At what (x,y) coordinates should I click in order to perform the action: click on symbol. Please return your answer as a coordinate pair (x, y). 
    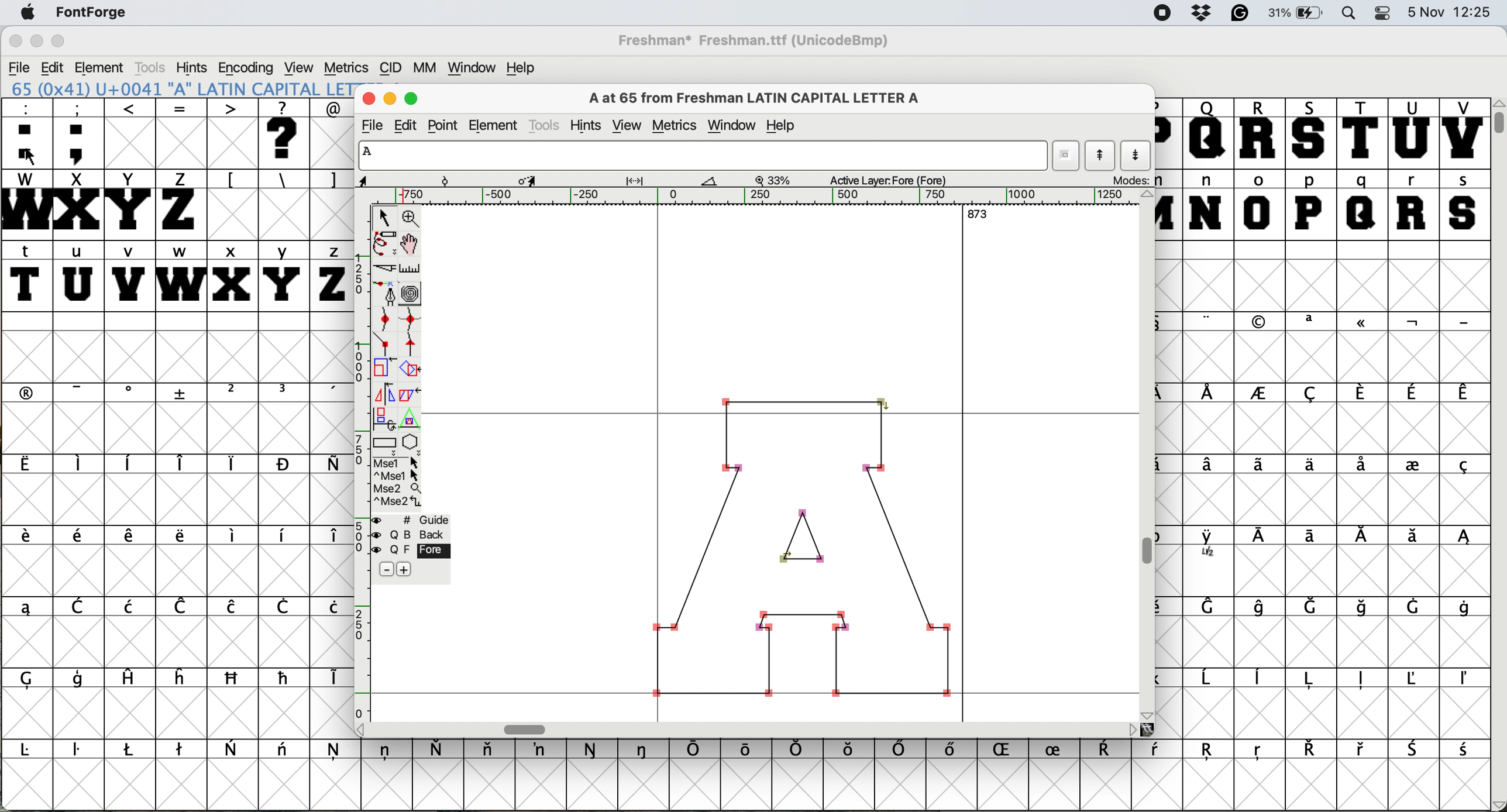
    Looking at the image, I should click on (329, 678).